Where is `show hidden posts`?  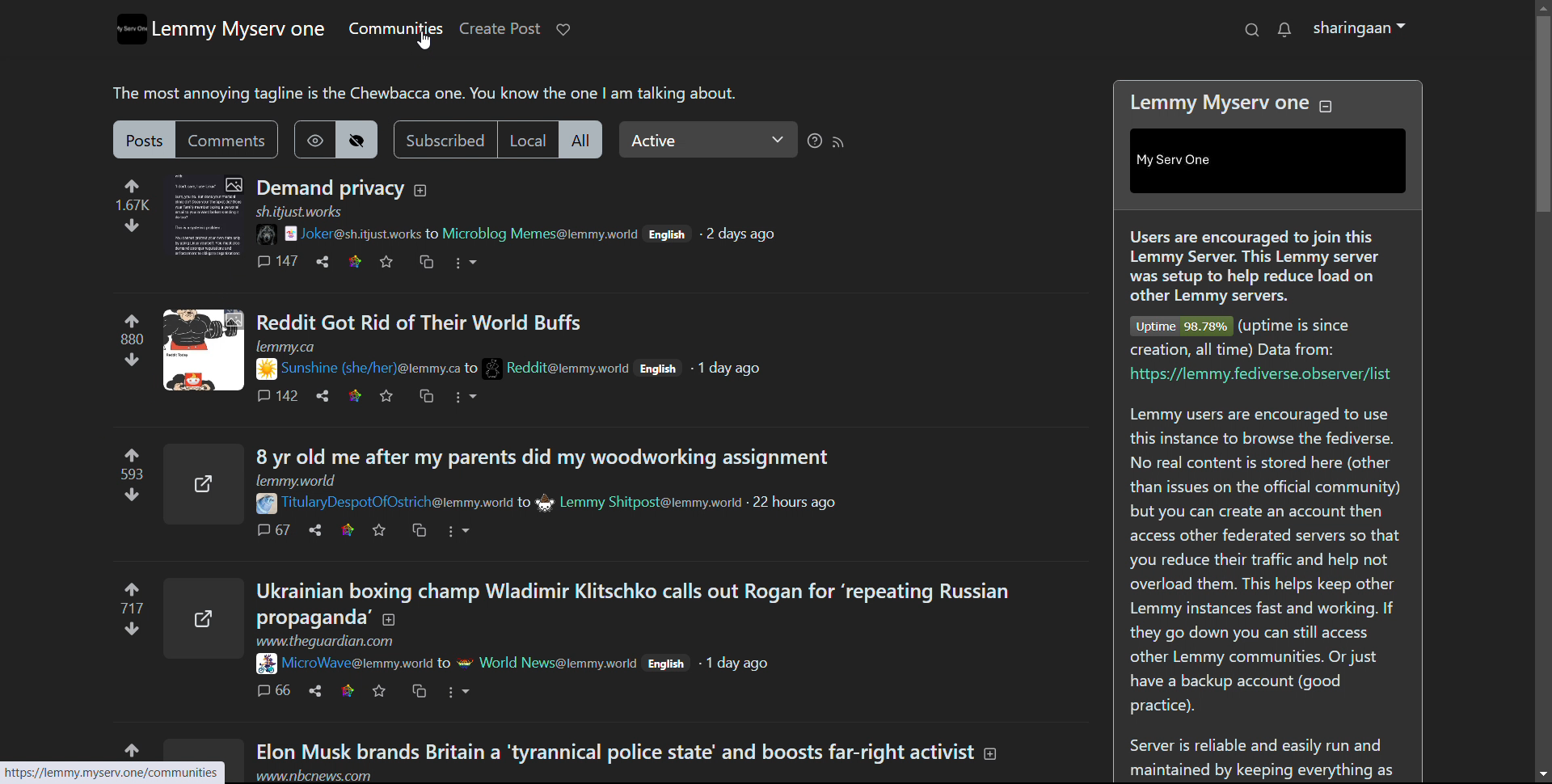
show hidden posts is located at coordinates (314, 139).